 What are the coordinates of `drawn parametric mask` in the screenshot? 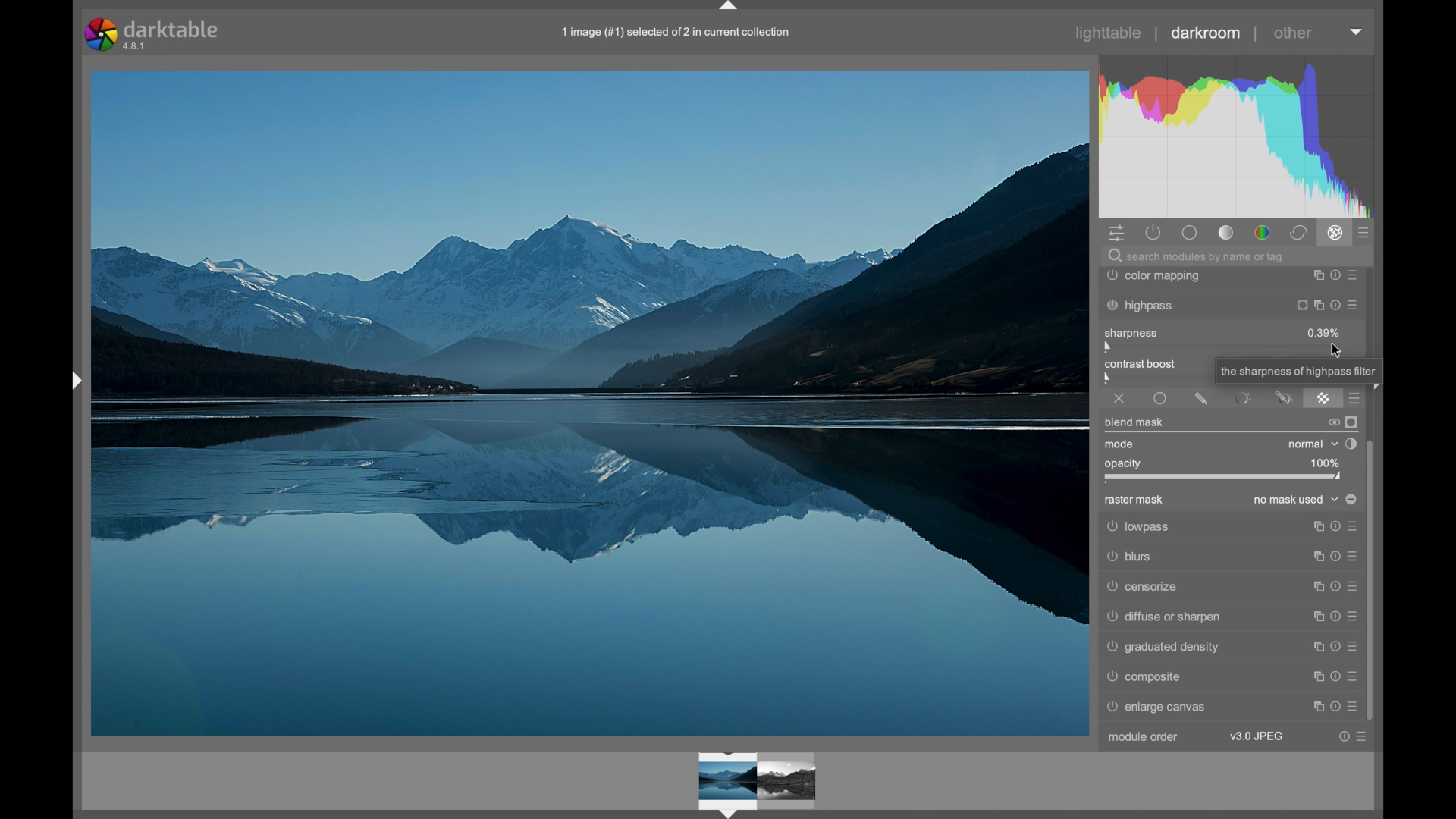 It's located at (1284, 399).